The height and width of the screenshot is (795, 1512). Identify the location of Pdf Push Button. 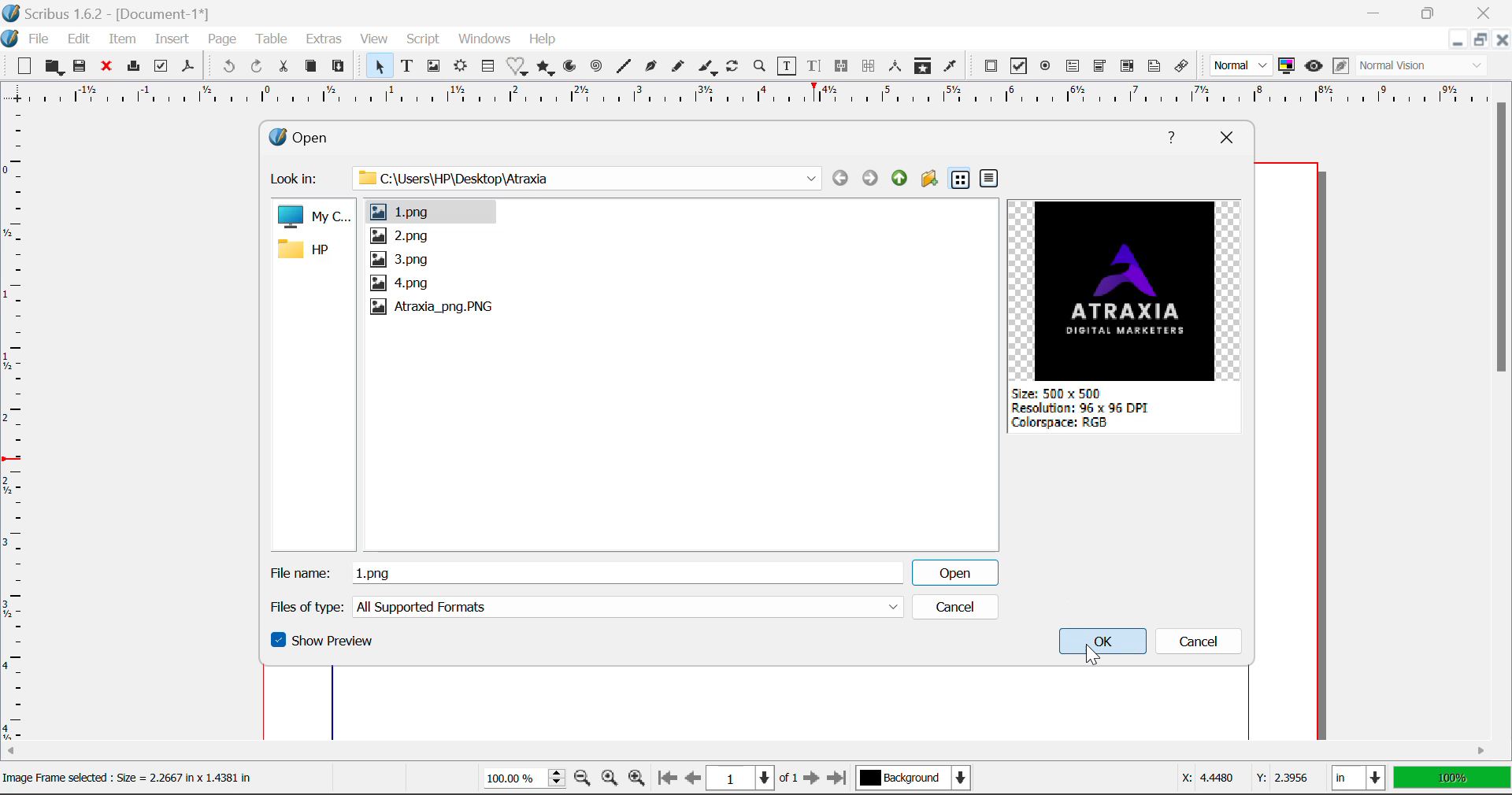
(991, 66).